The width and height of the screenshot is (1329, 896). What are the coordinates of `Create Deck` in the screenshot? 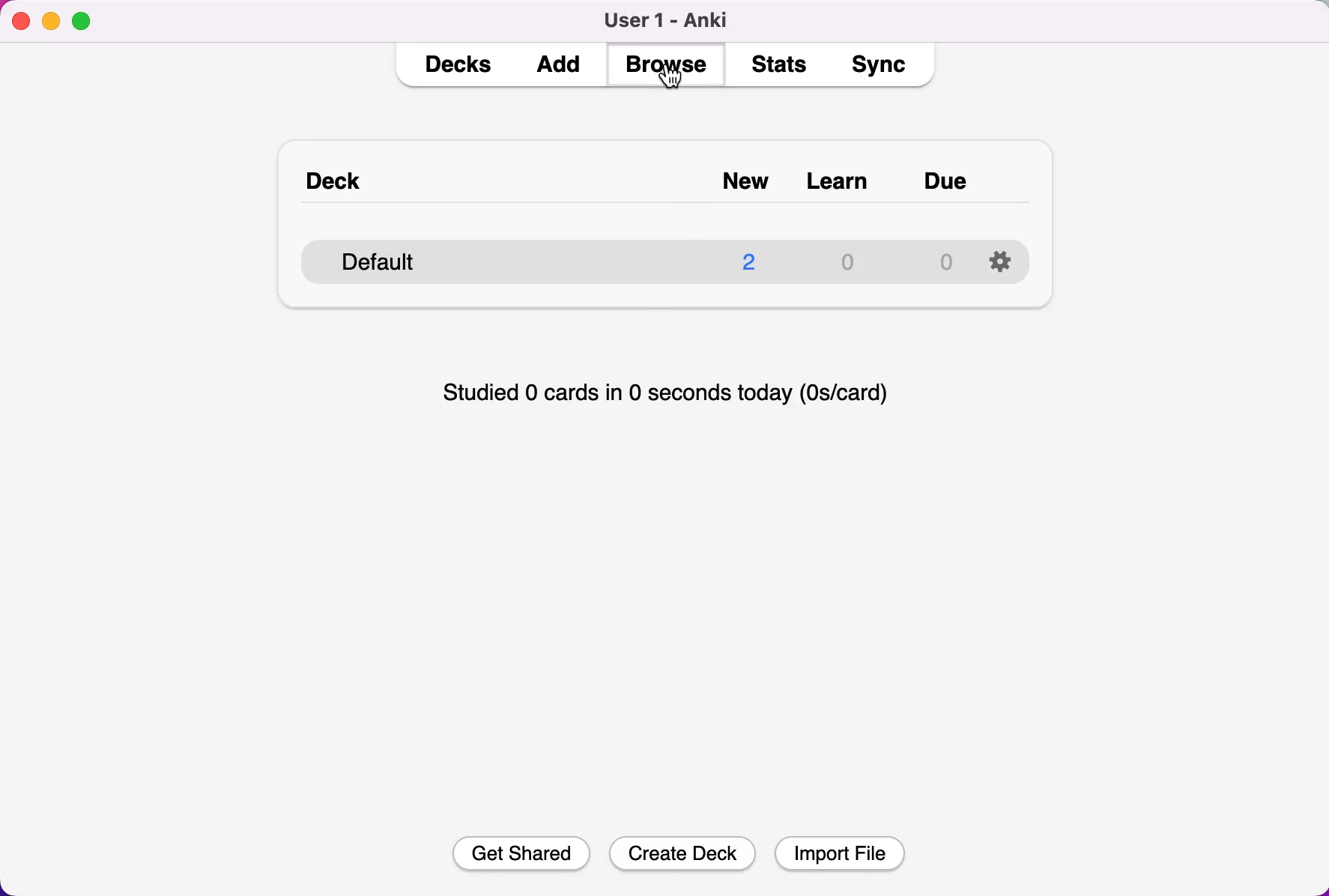 It's located at (682, 855).